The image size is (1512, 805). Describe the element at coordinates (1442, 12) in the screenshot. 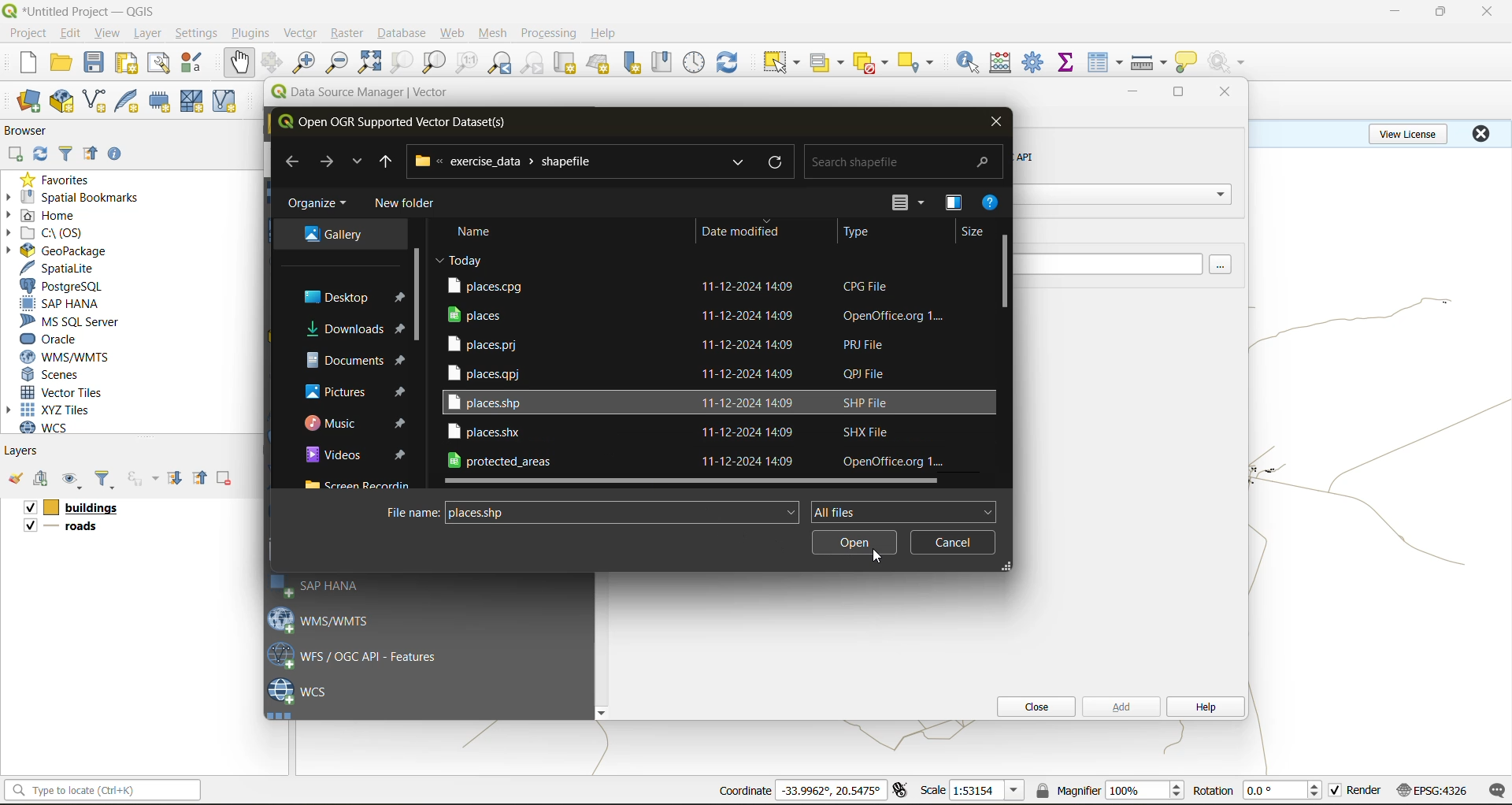

I see `maximize` at that location.